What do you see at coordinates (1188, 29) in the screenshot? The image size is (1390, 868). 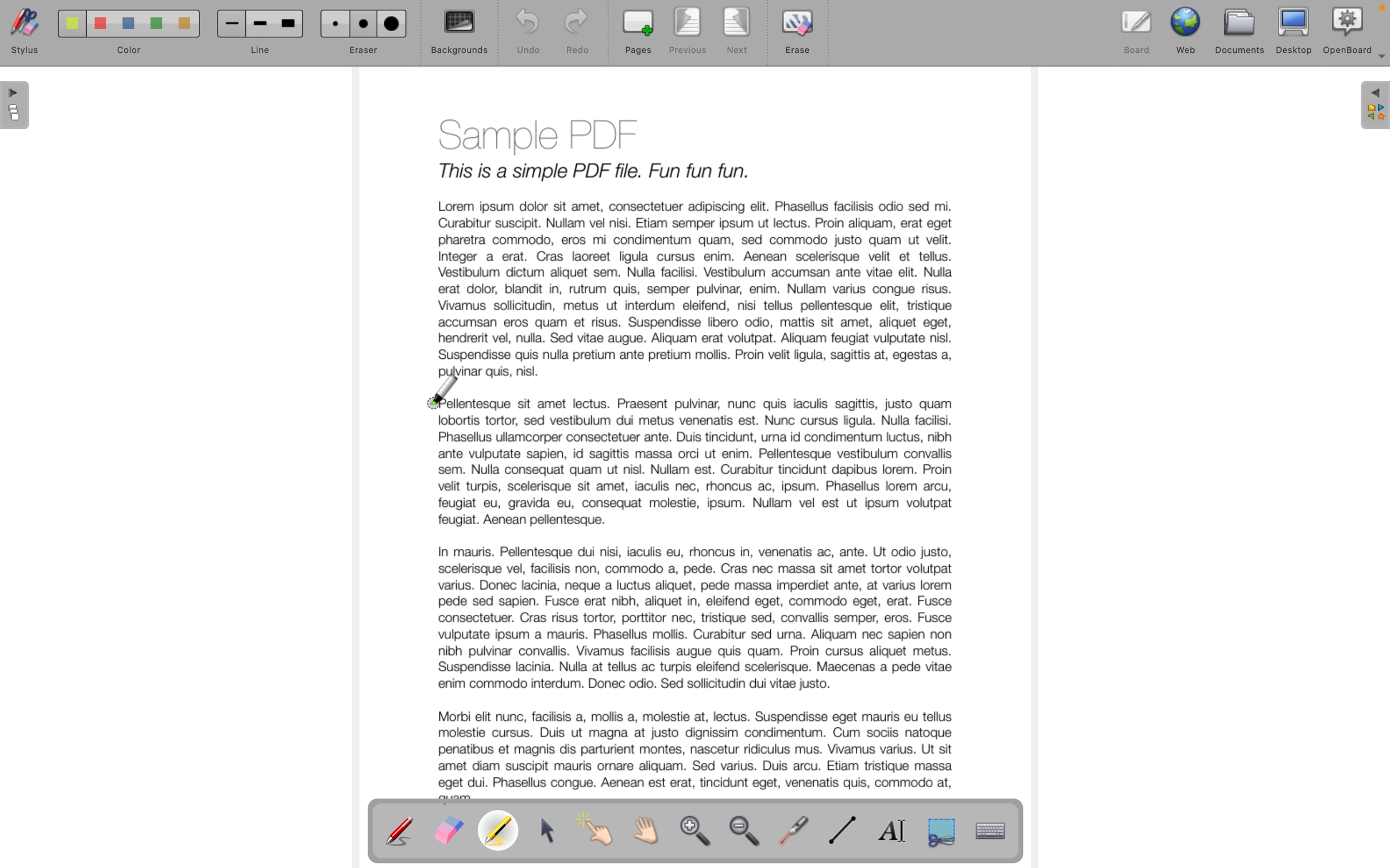 I see `web` at bounding box center [1188, 29].